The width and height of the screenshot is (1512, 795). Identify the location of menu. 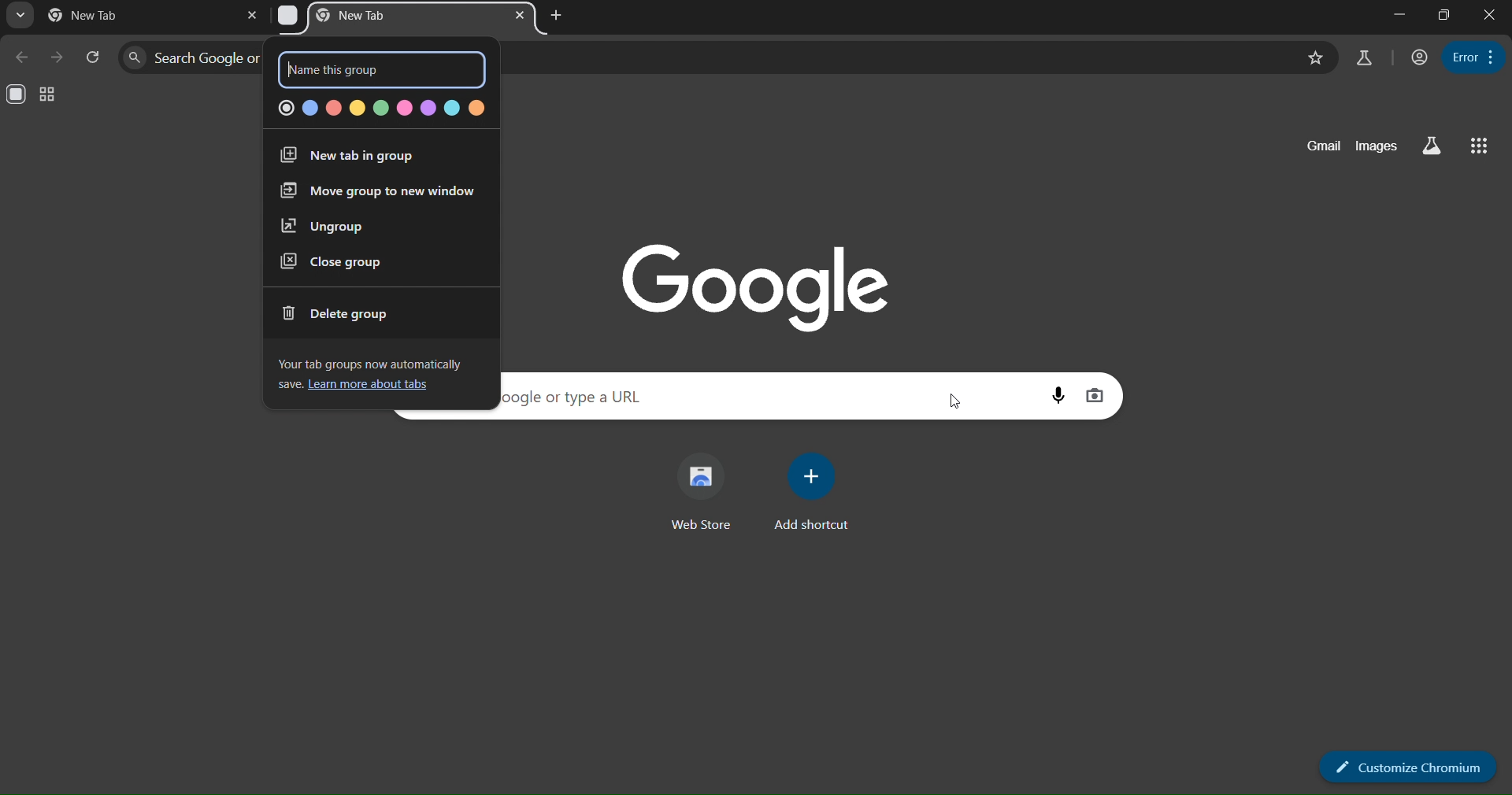
(1471, 57).